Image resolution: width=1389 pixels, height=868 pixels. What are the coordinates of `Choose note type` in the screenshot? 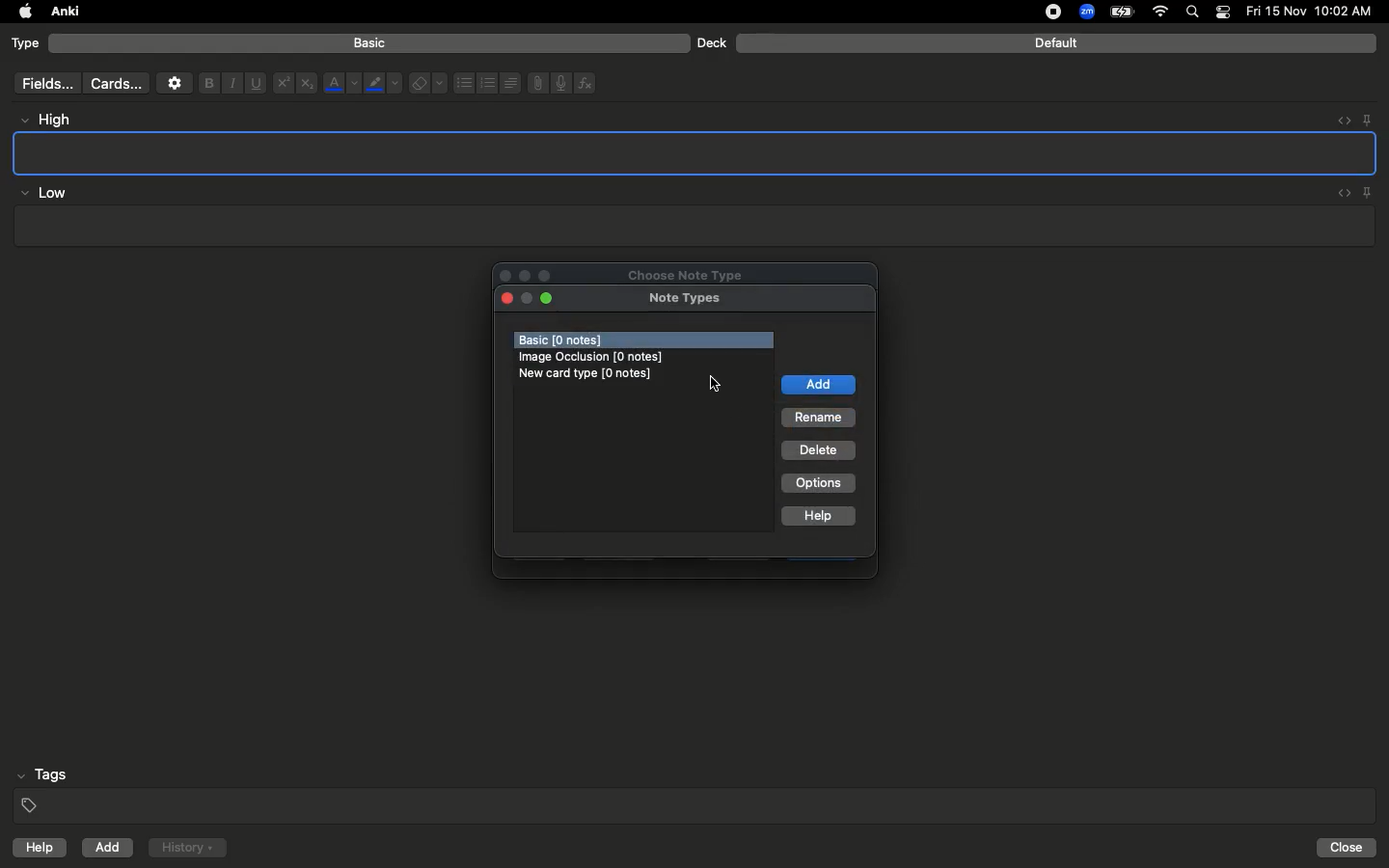 It's located at (665, 272).